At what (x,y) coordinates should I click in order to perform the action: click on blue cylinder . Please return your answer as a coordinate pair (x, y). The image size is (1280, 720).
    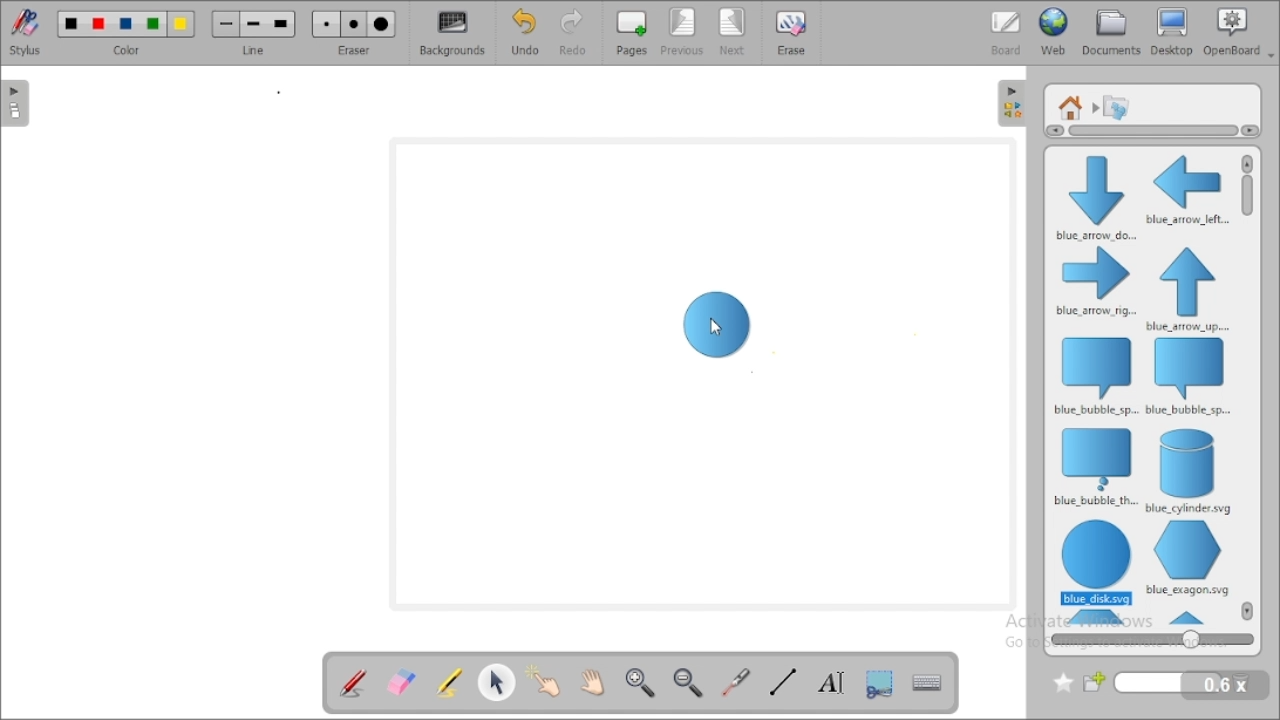
    Looking at the image, I should click on (1190, 471).